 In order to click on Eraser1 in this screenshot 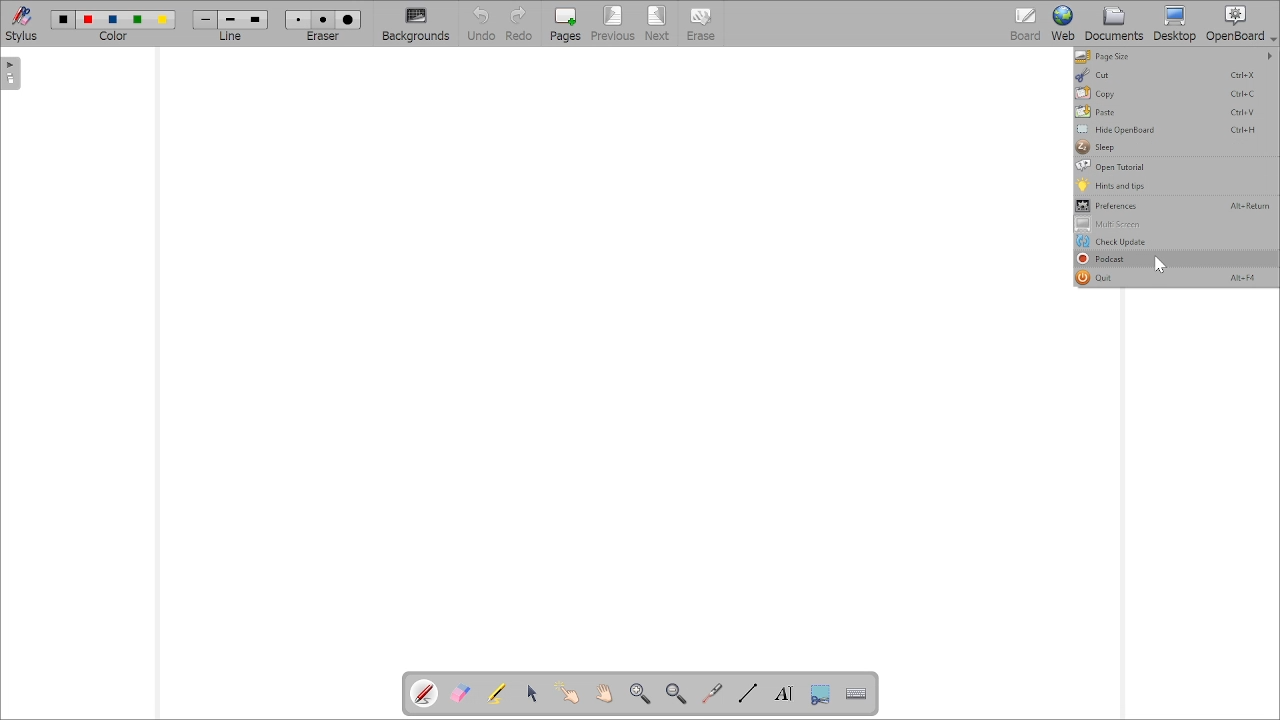, I will do `click(299, 19)`.